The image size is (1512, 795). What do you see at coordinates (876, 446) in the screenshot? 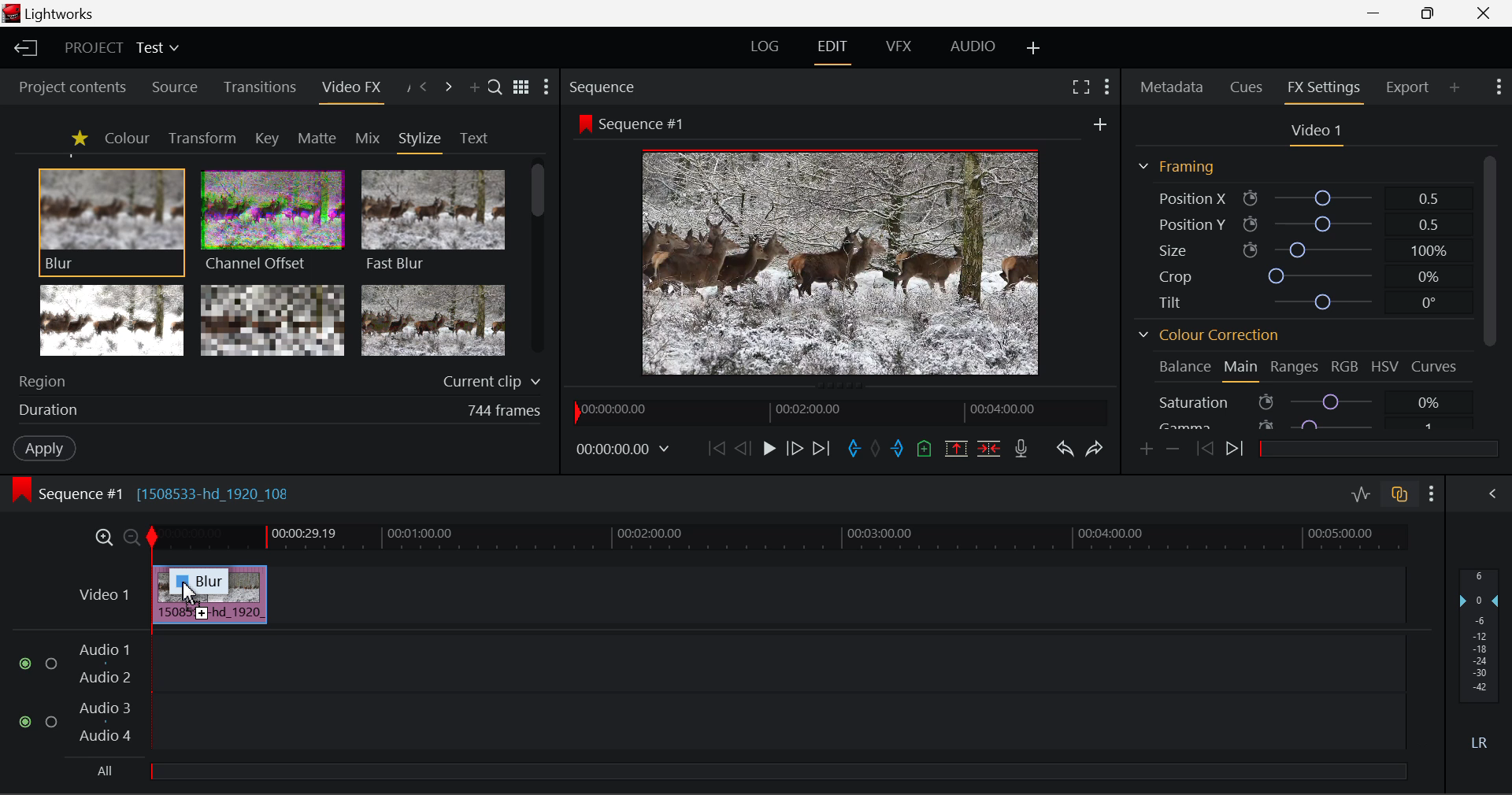
I see `Remove all marks` at bounding box center [876, 446].